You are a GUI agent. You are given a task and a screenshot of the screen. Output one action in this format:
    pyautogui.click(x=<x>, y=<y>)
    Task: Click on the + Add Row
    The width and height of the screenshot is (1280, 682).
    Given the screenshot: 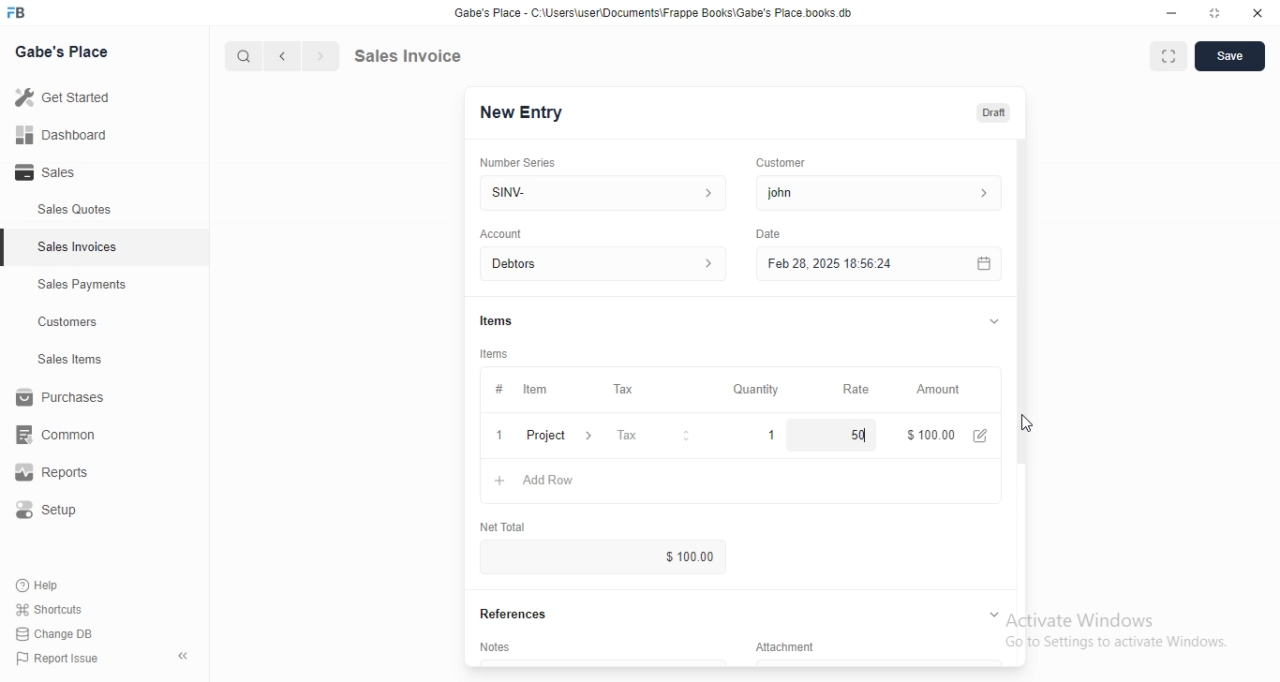 What is the action you would take?
    pyautogui.click(x=546, y=482)
    